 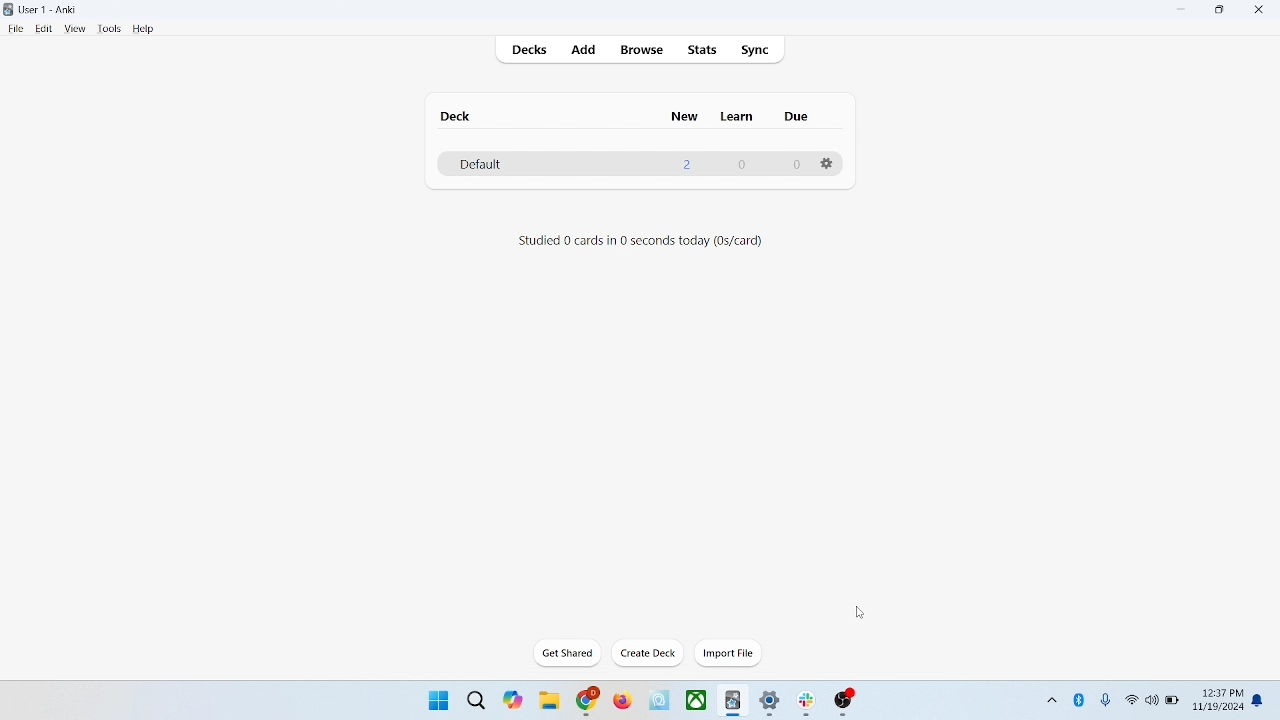 I want to click on browse, so click(x=640, y=49).